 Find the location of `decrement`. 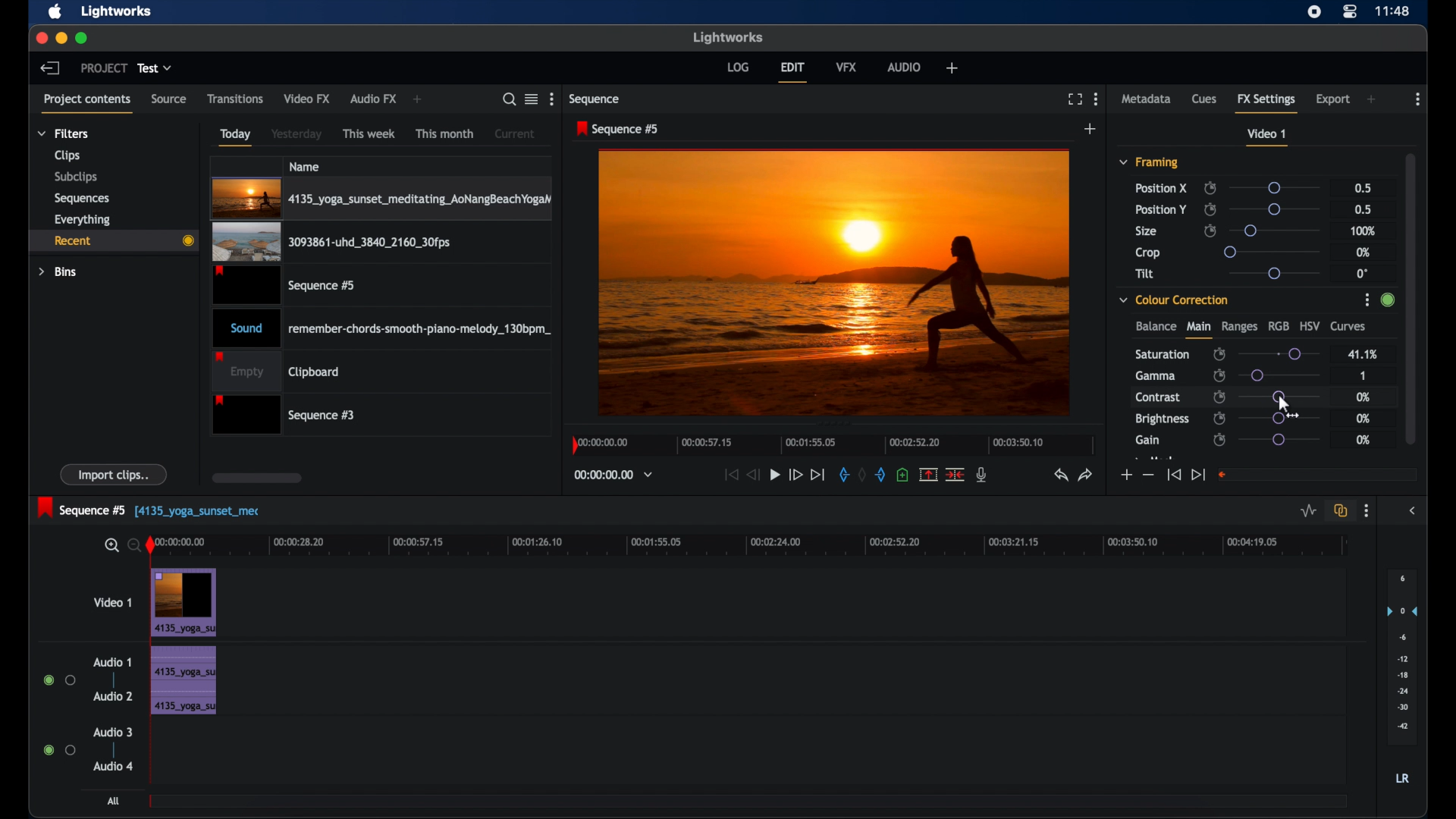

decrement is located at coordinates (1148, 475).